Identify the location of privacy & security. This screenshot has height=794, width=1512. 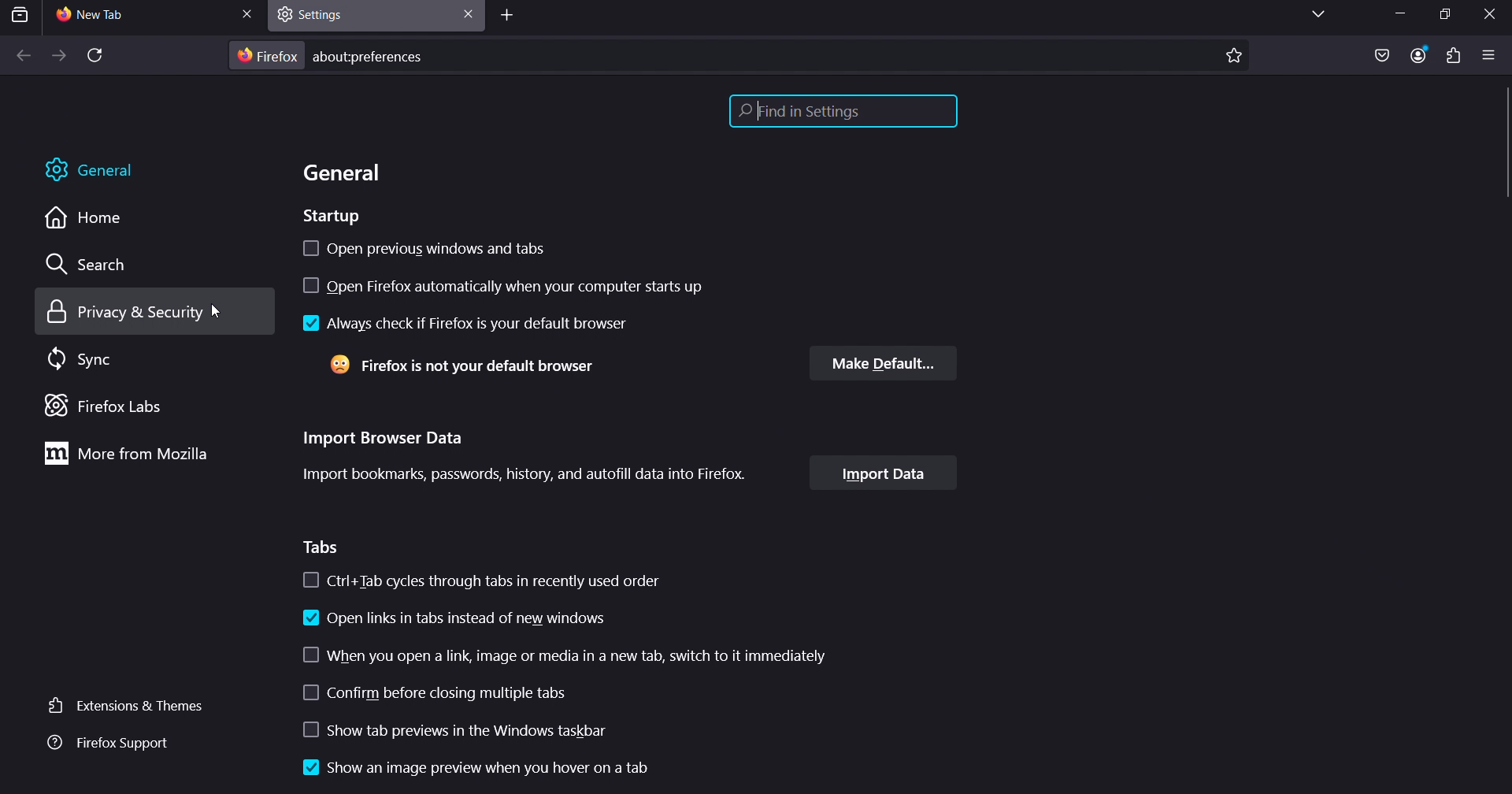
(143, 313).